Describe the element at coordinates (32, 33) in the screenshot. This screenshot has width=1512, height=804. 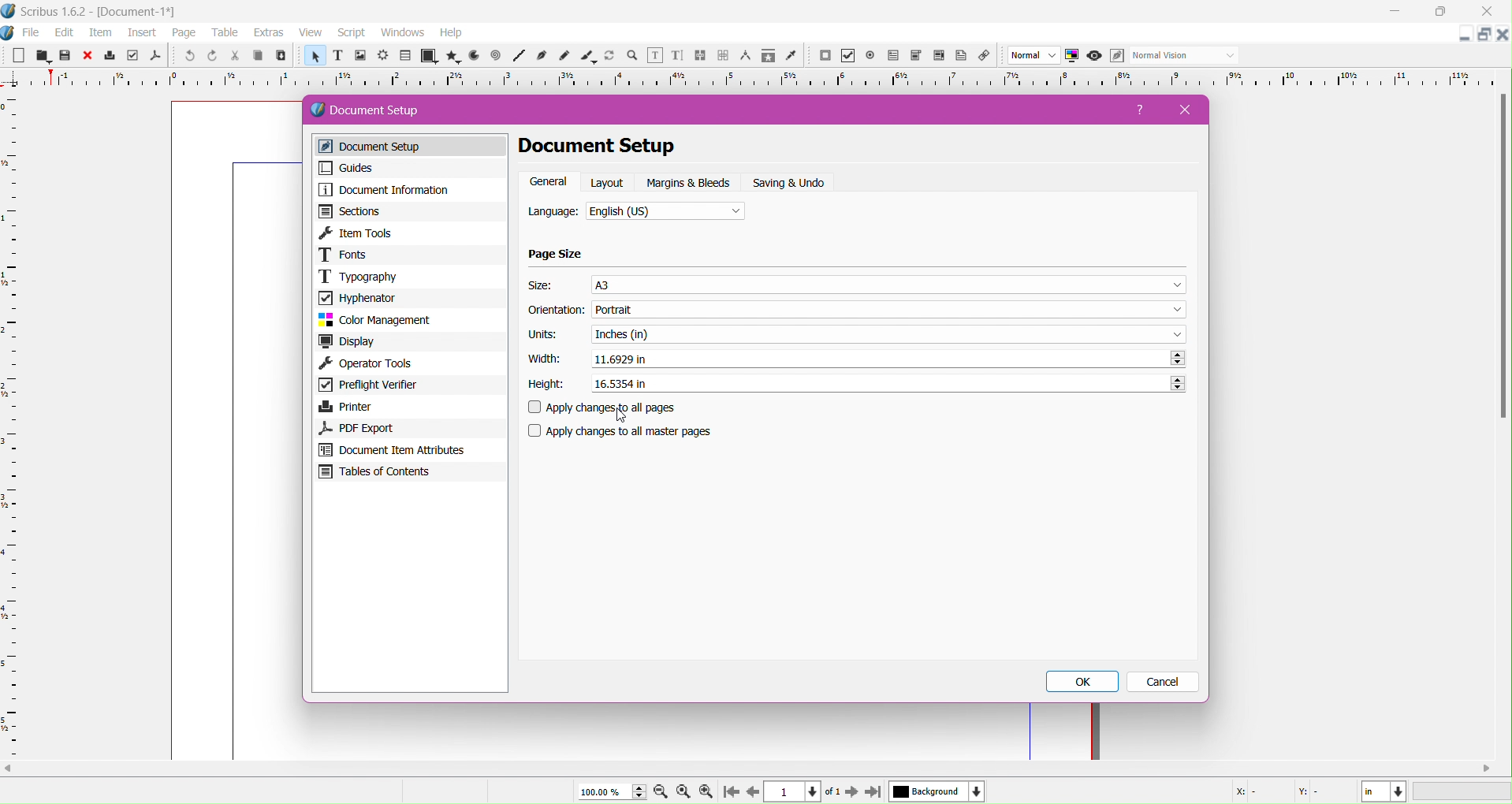
I see `file menu` at that location.